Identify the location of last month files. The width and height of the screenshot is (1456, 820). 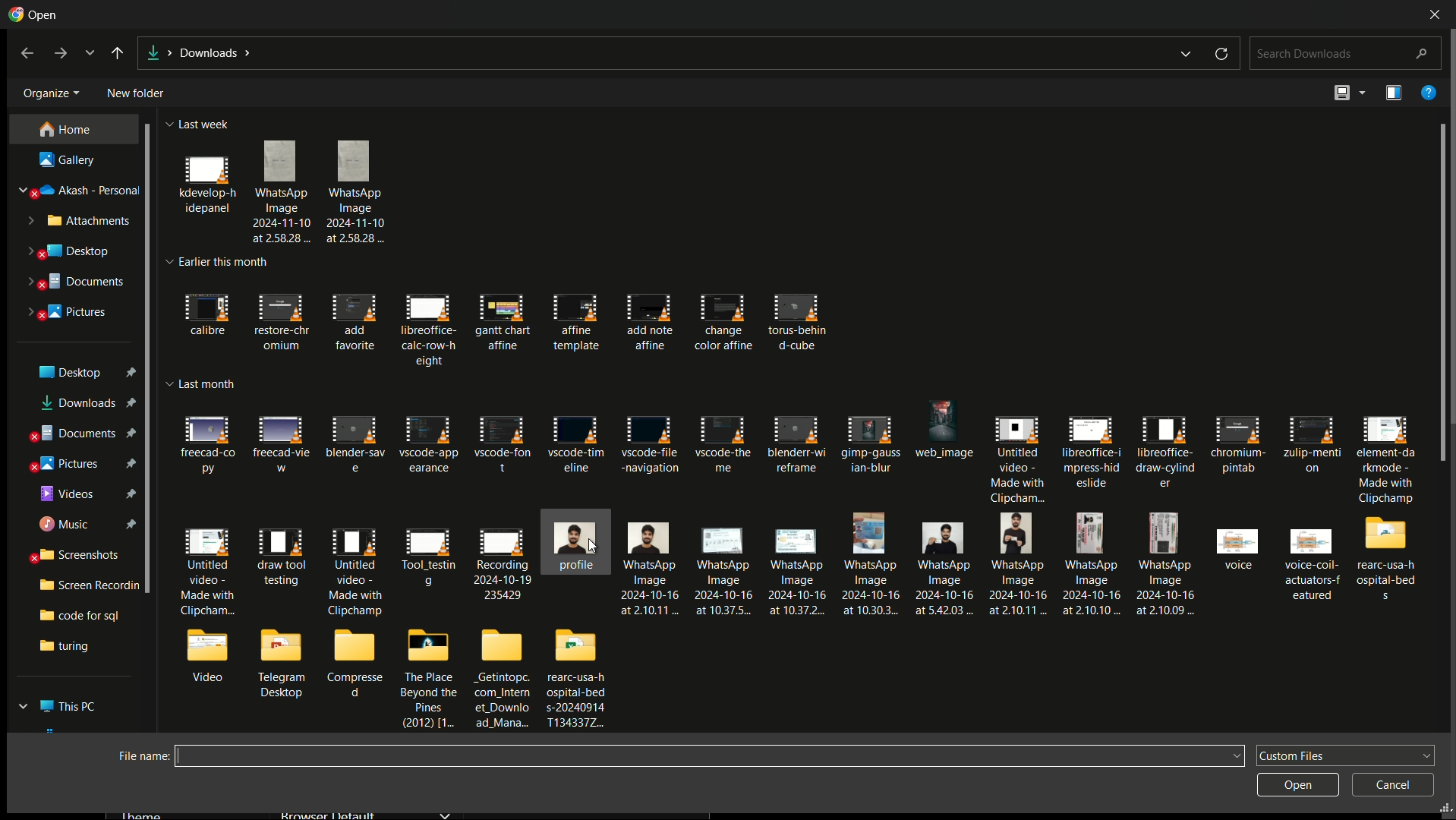
(795, 569).